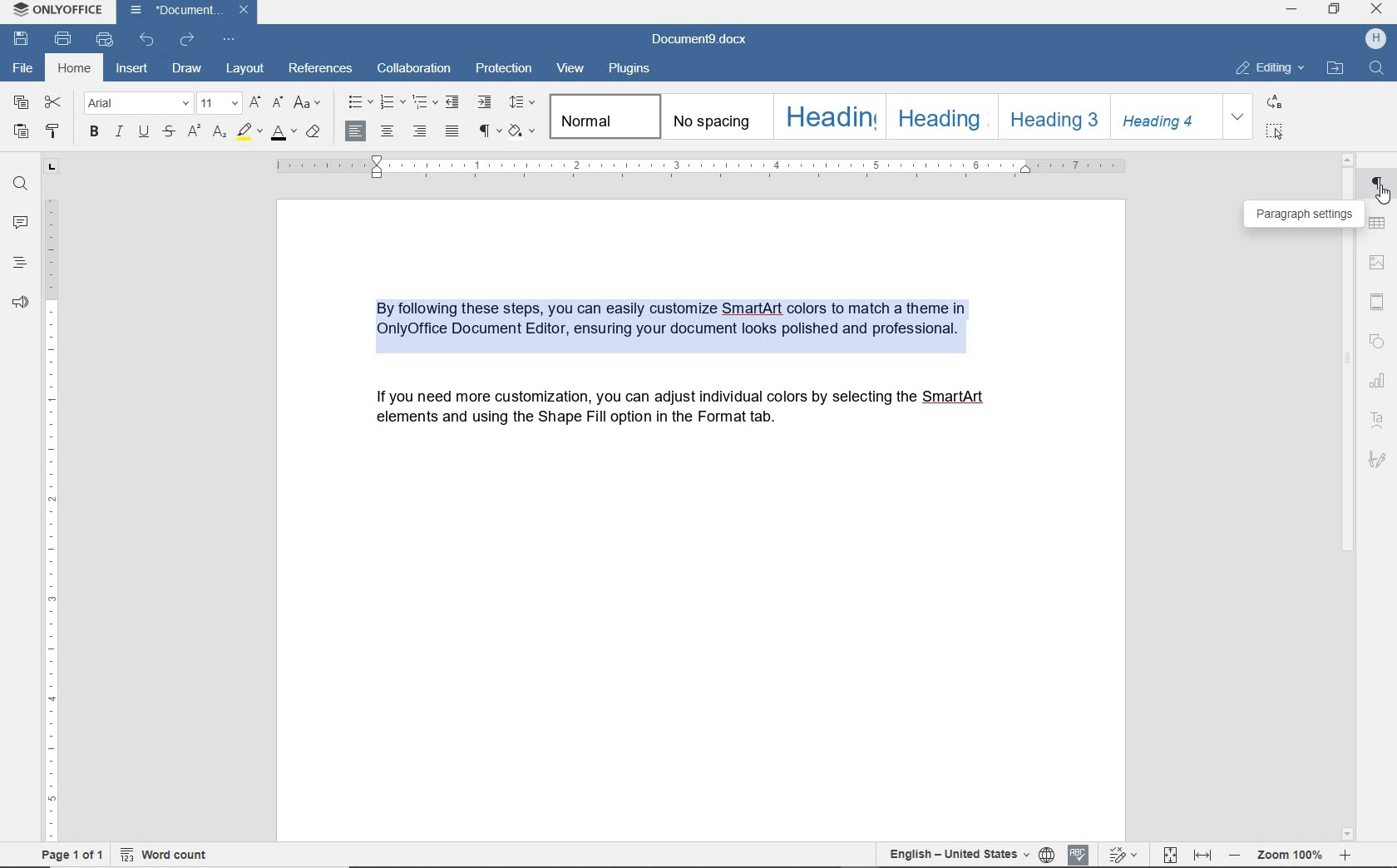 The height and width of the screenshot is (868, 1397). What do you see at coordinates (1289, 854) in the screenshot?
I see `zoom out or zoom in` at bounding box center [1289, 854].